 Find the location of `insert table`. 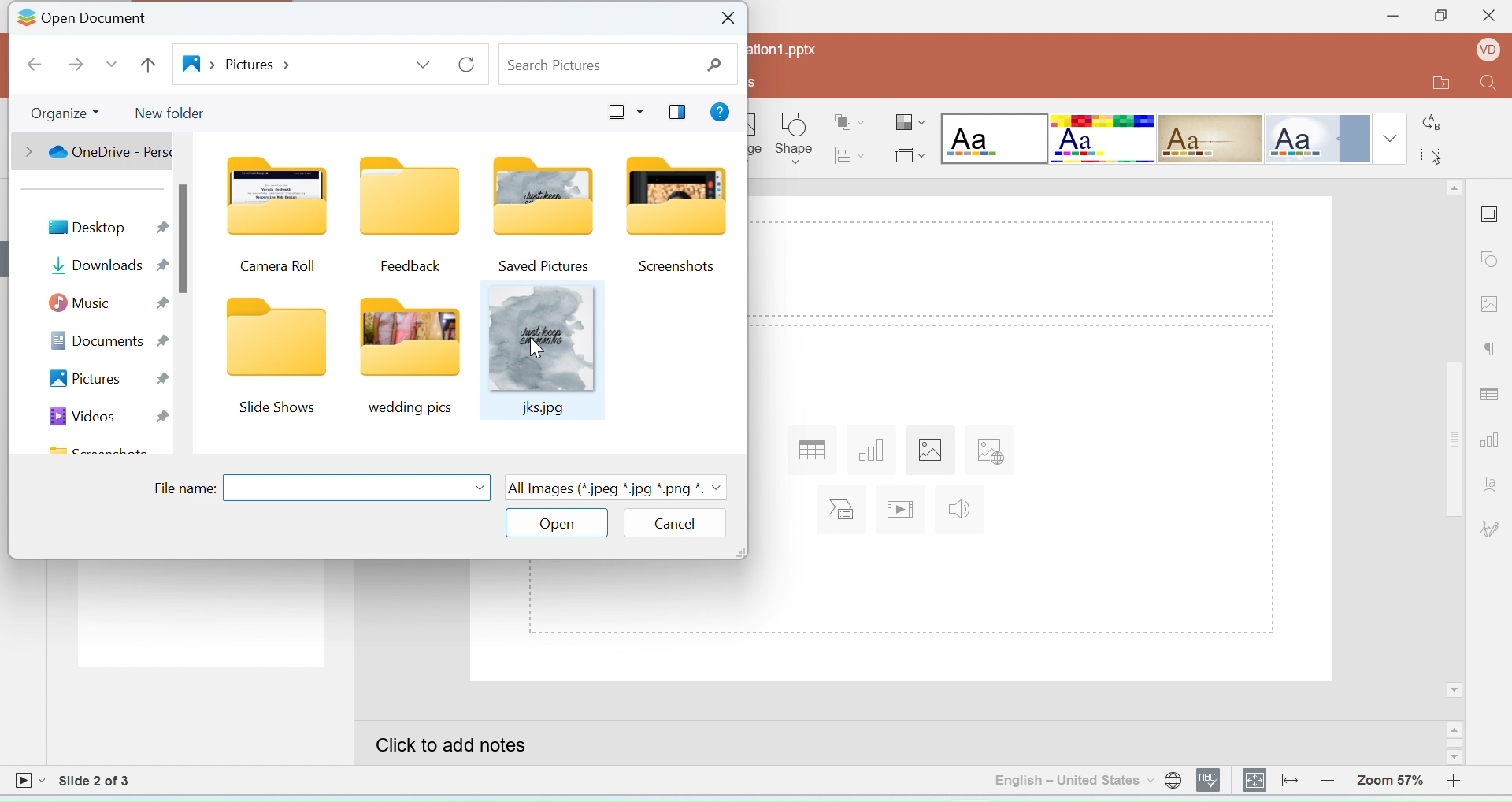

insert table is located at coordinates (810, 450).